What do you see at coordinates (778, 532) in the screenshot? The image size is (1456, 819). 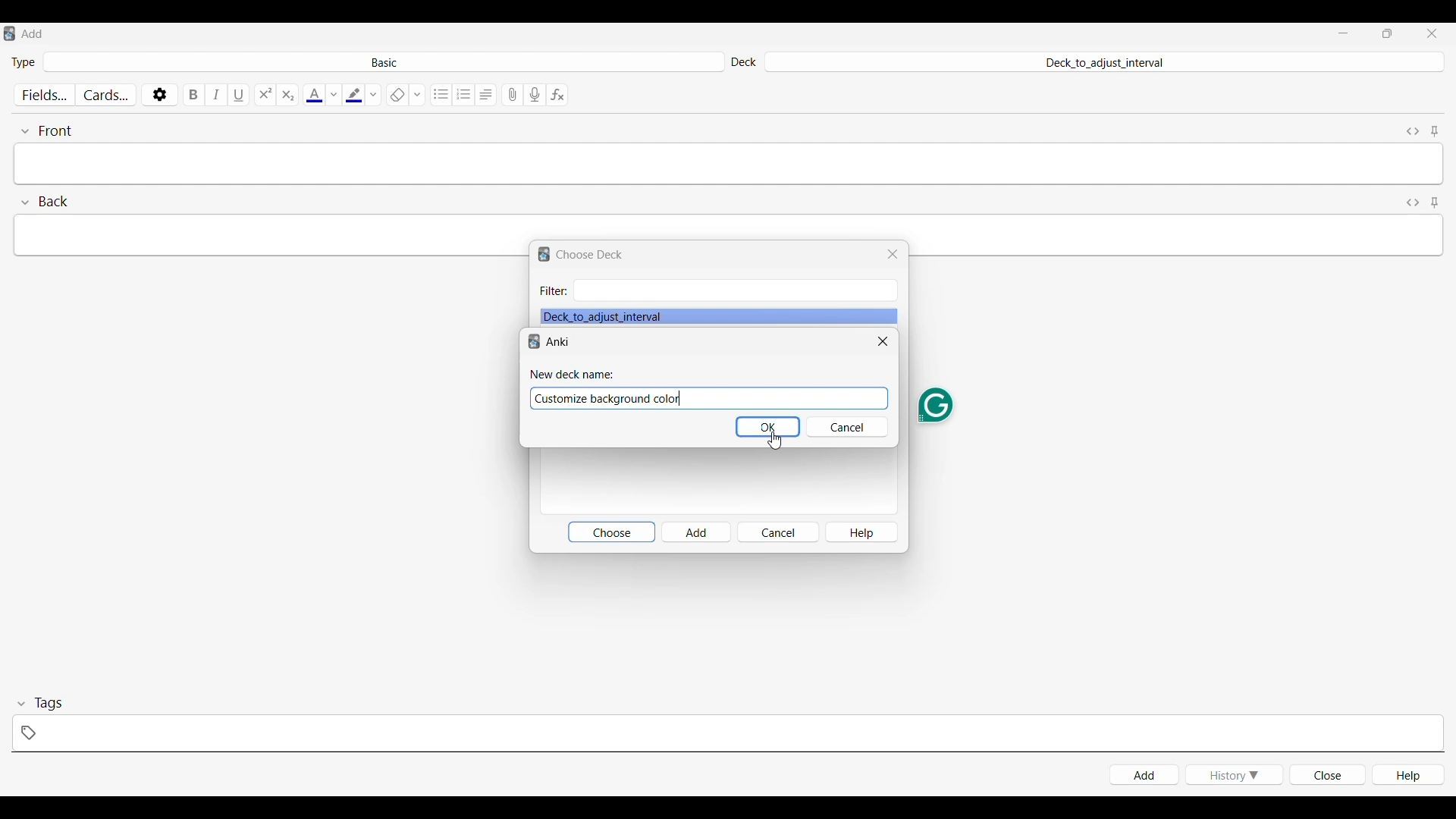 I see `Cancel` at bounding box center [778, 532].